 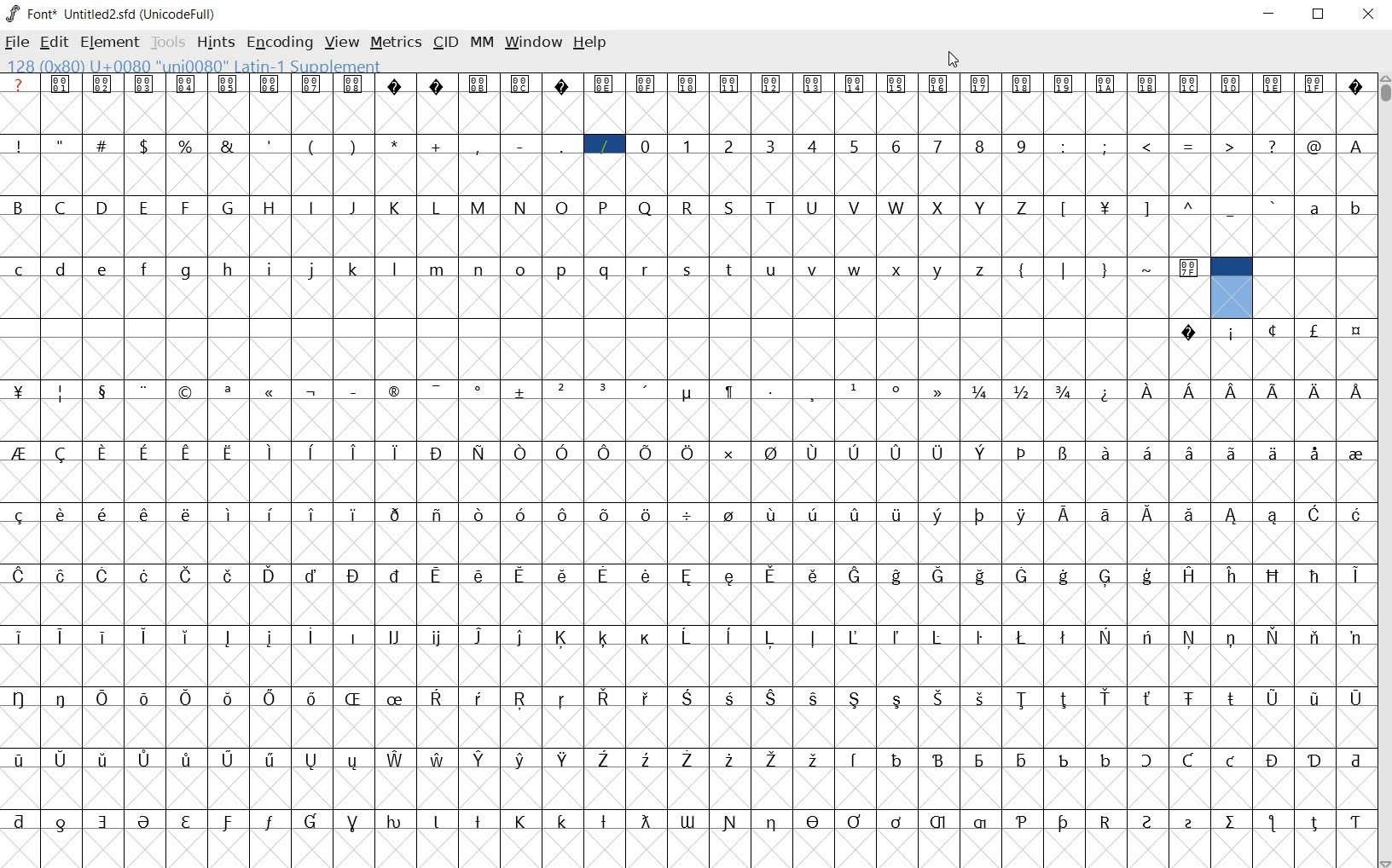 What do you see at coordinates (1368, 14) in the screenshot?
I see `Close` at bounding box center [1368, 14].